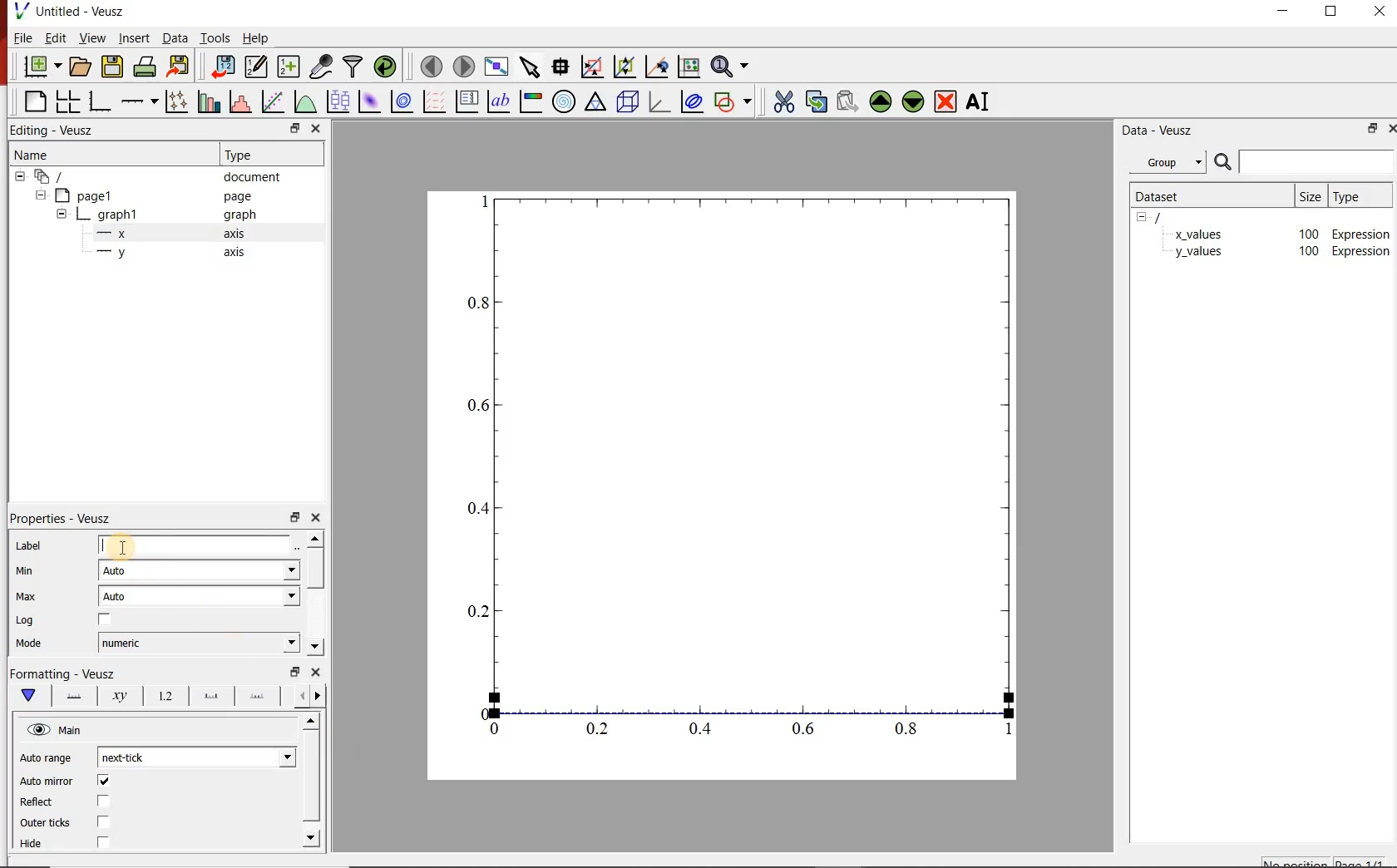 This screenshot has width=1397, height=868. What do you see at coordinates (629, 104) in the screenshot?
I see `3d scene` at bounding box center [629, 104].